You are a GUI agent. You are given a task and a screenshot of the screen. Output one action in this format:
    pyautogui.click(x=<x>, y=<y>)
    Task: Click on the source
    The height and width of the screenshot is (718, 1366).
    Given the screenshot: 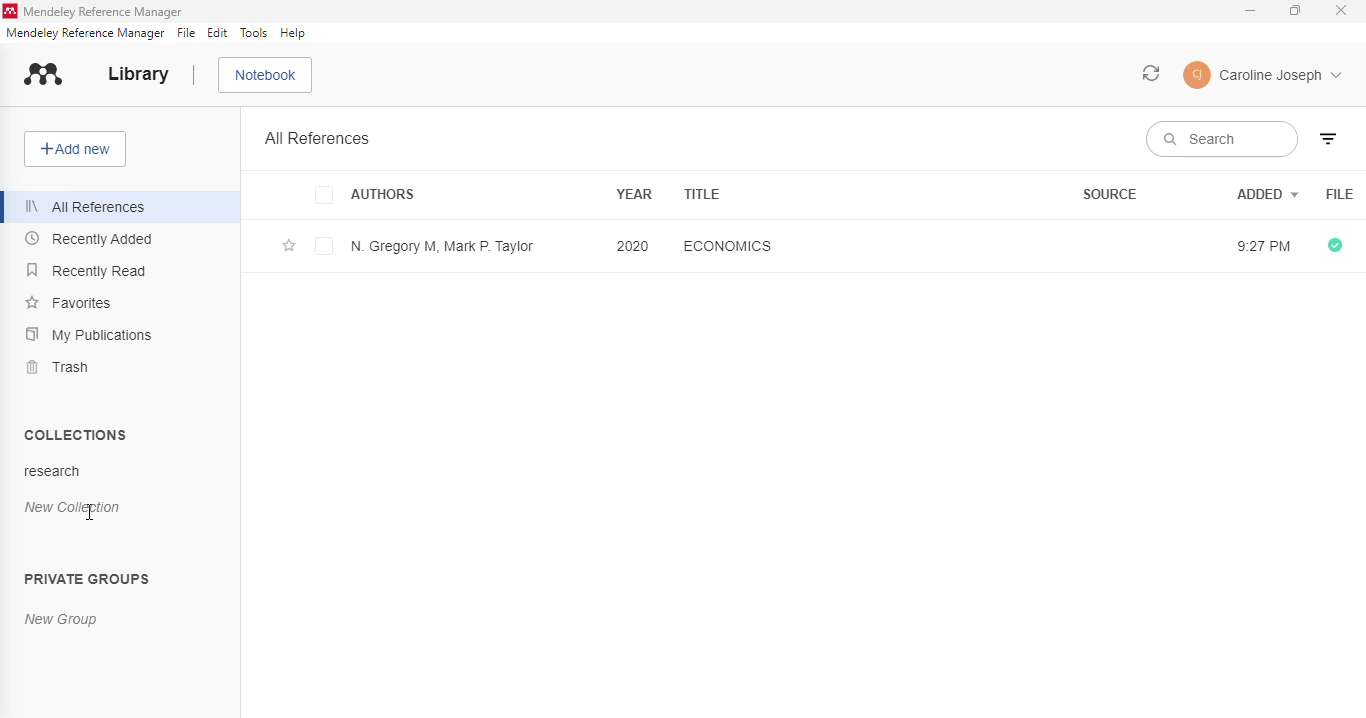 What is the action you would take?
    pyautogui.click(x=1110, y=194)
    